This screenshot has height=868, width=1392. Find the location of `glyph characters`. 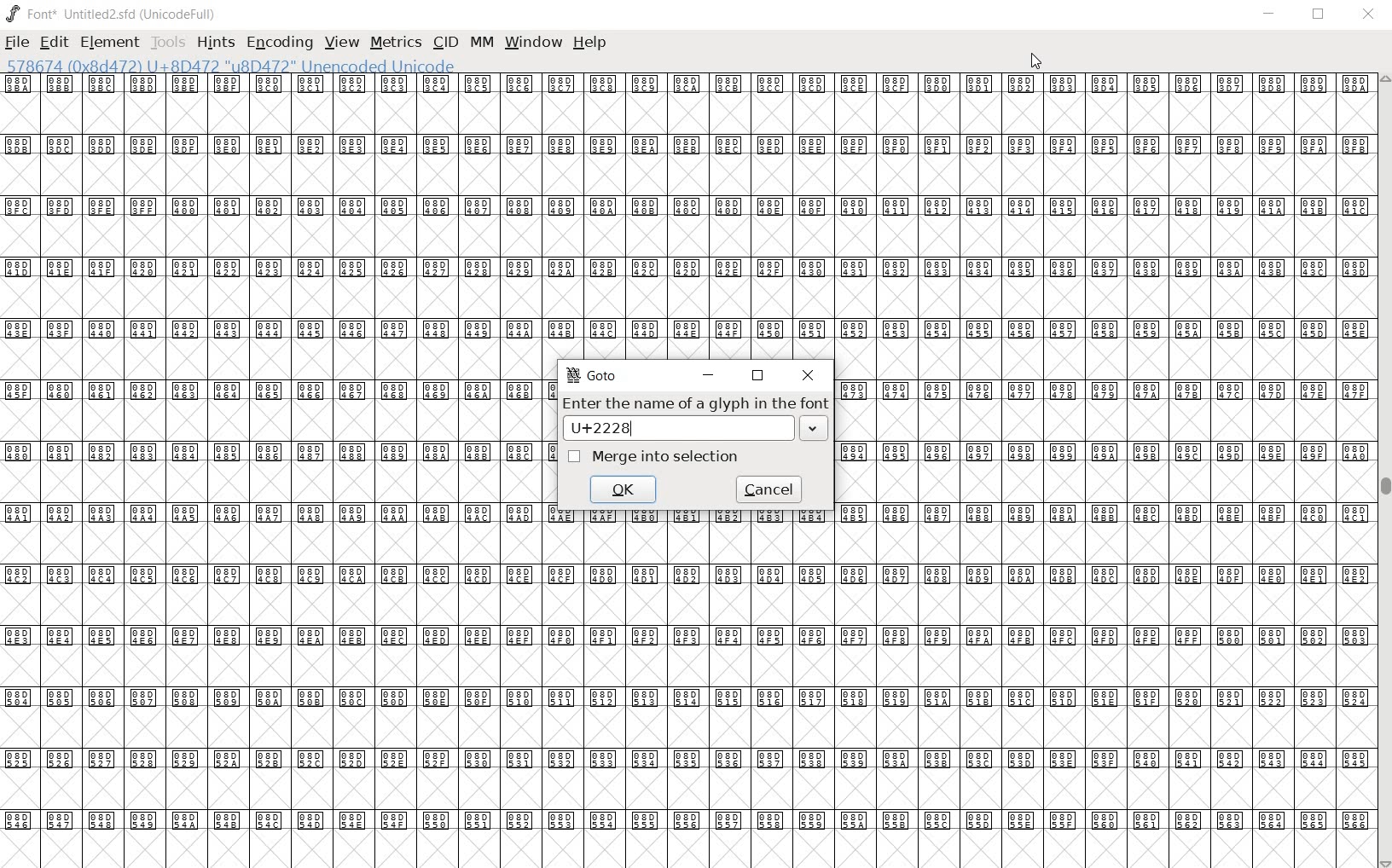

glyph characters is located at coordinates (270, 472).